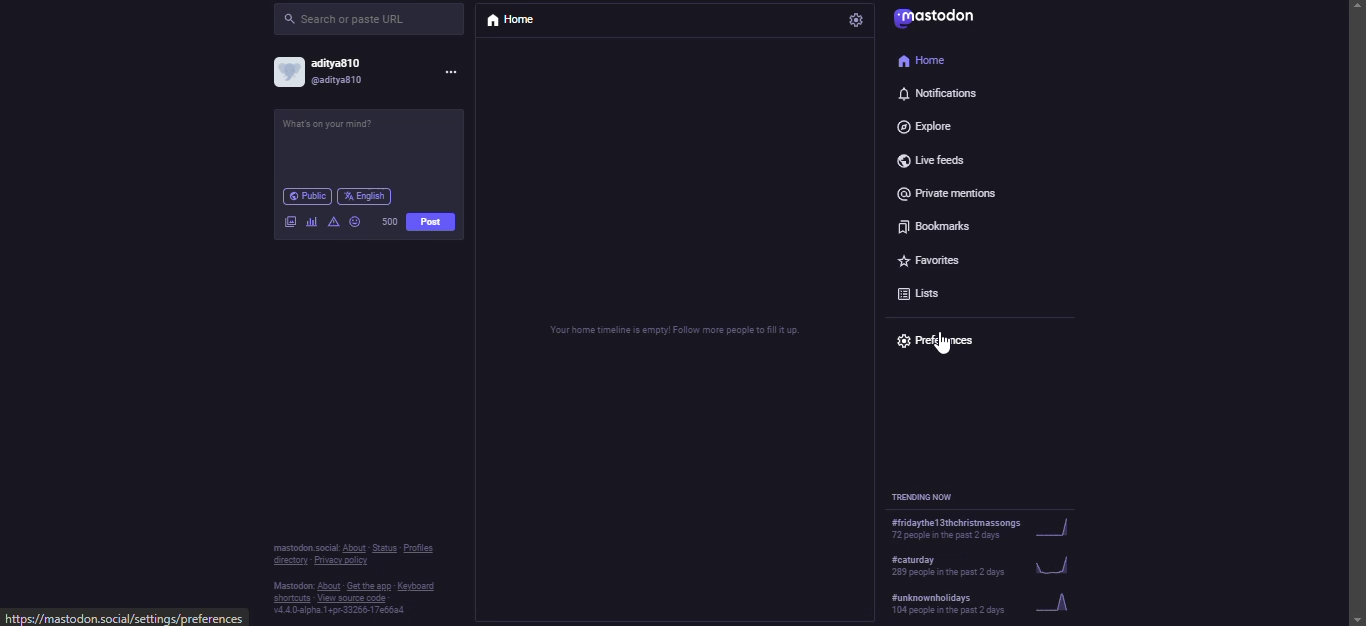 Image resolution: width=1366 pixels, height=626 pixels. What do you see at coordinates (935, 156) in the screenshot?
I see `live feeds` at bounding box center [935, 156].